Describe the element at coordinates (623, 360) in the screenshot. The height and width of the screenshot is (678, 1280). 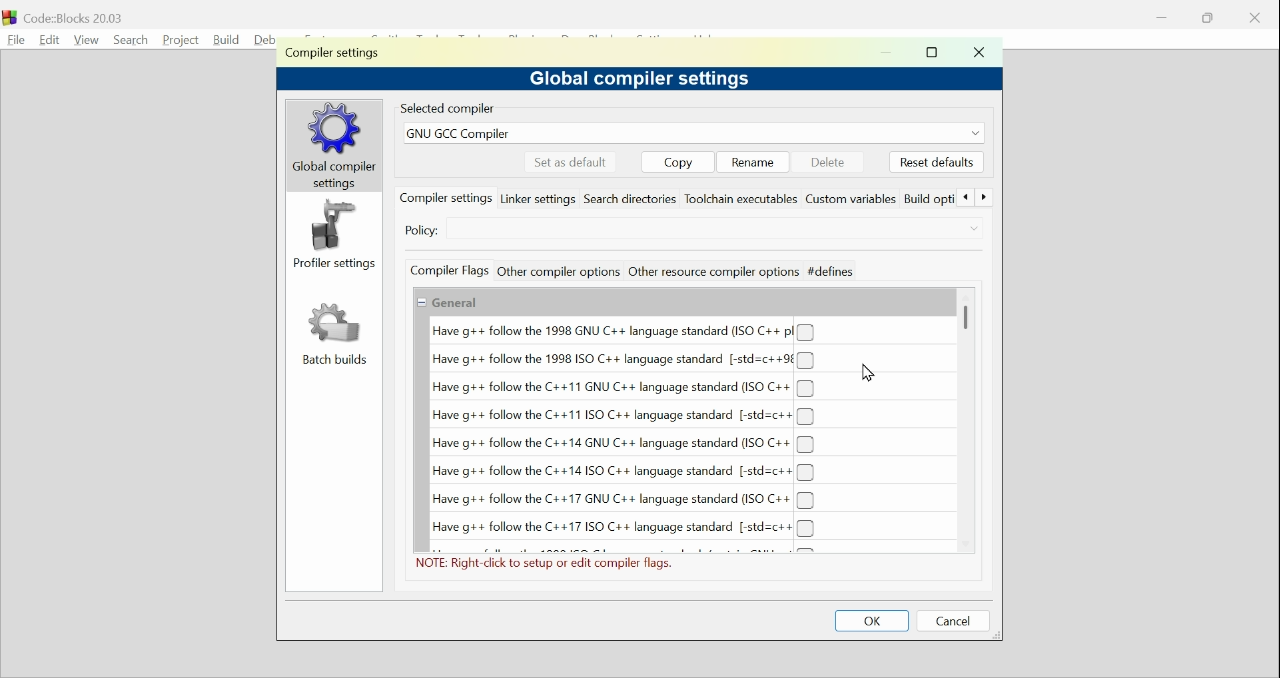
I see `(un)check Have g++follow the 1998 GNU C++ language standard (-std-c++9` at that location.